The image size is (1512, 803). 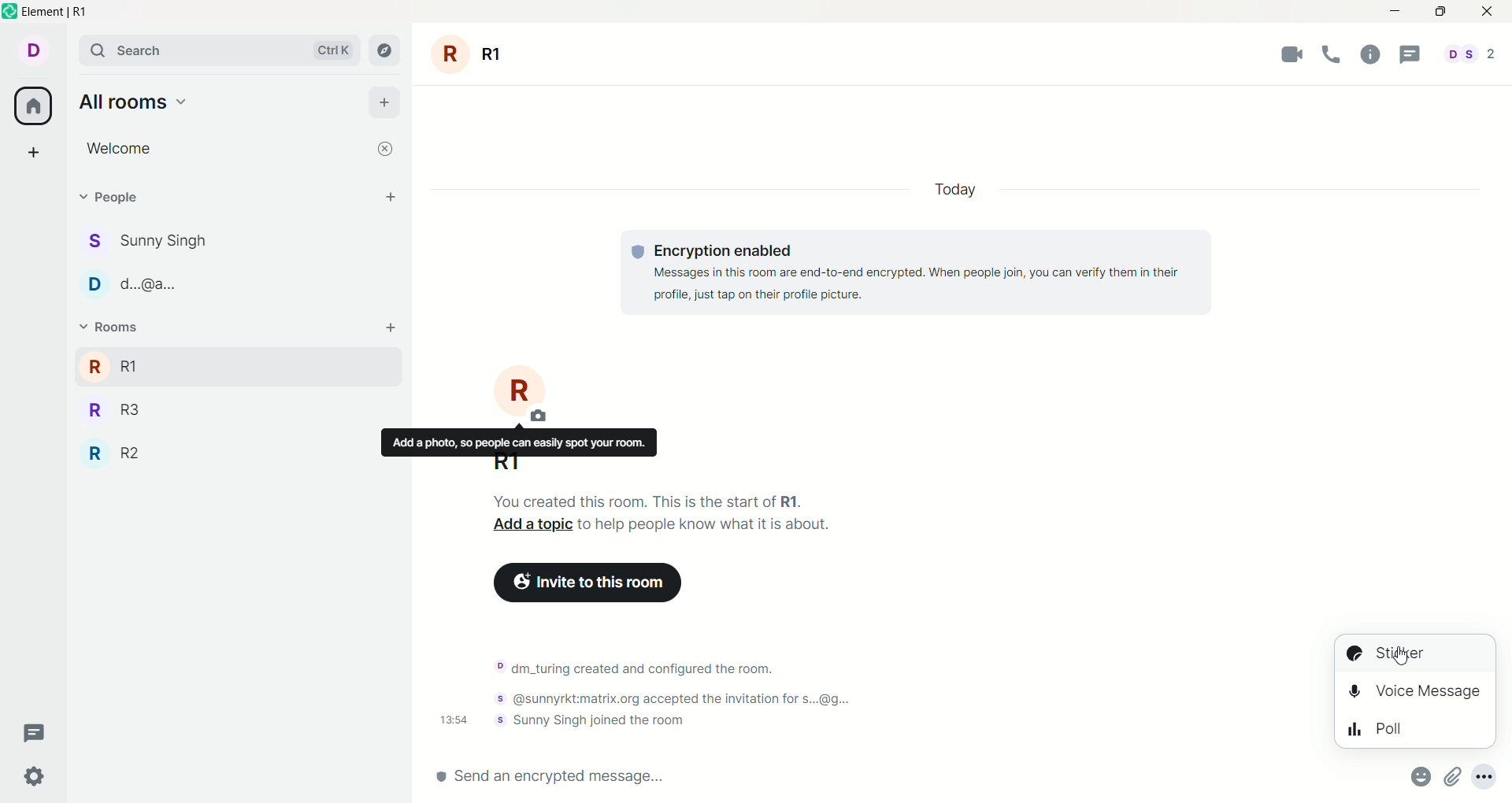 What do you see at coordinates (114, 327) in the screenshot?
I see `rooms` at bounding box center [114, 327].